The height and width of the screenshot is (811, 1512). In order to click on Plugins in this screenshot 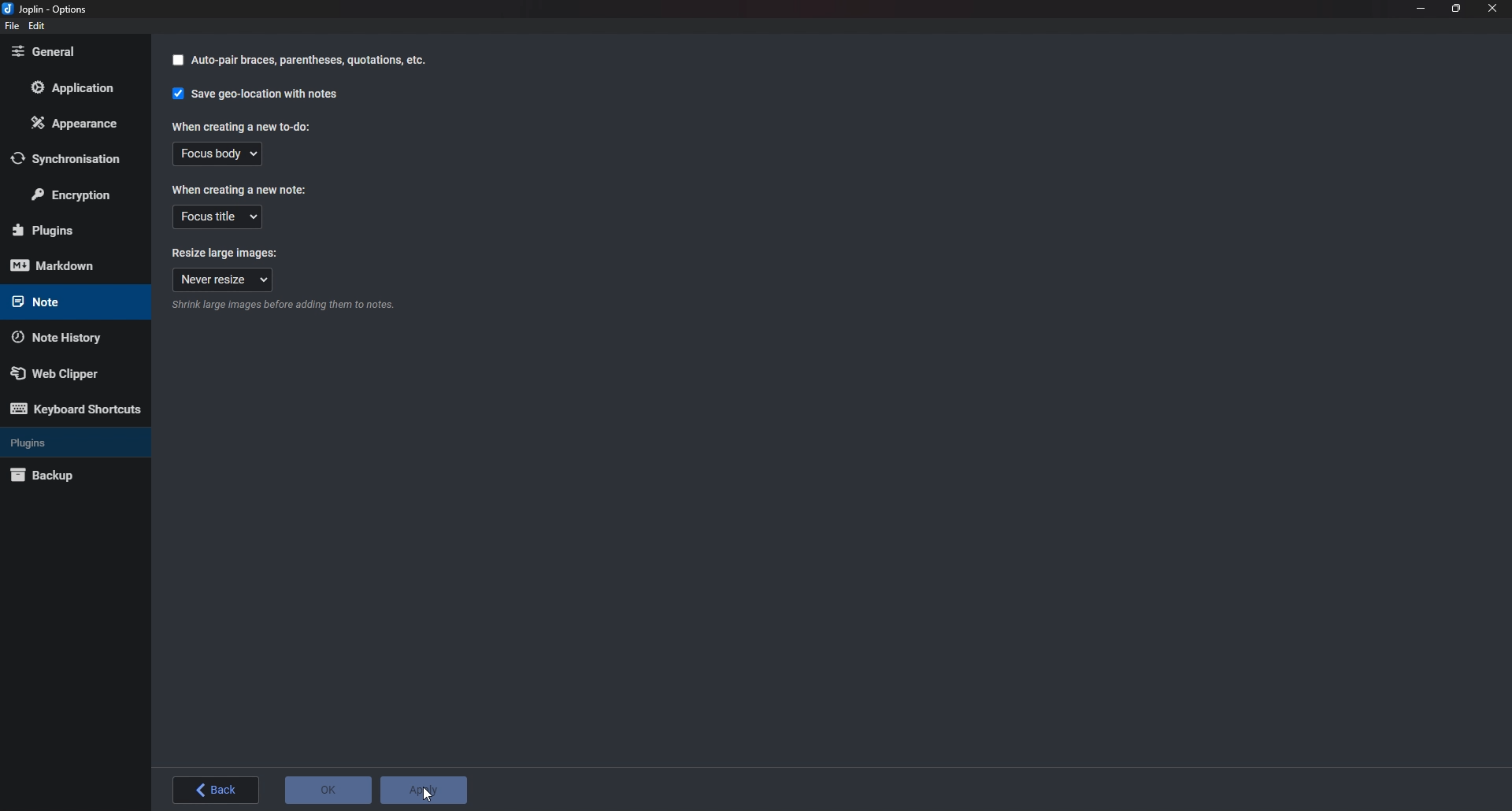, I will do `click(68, 230)`.